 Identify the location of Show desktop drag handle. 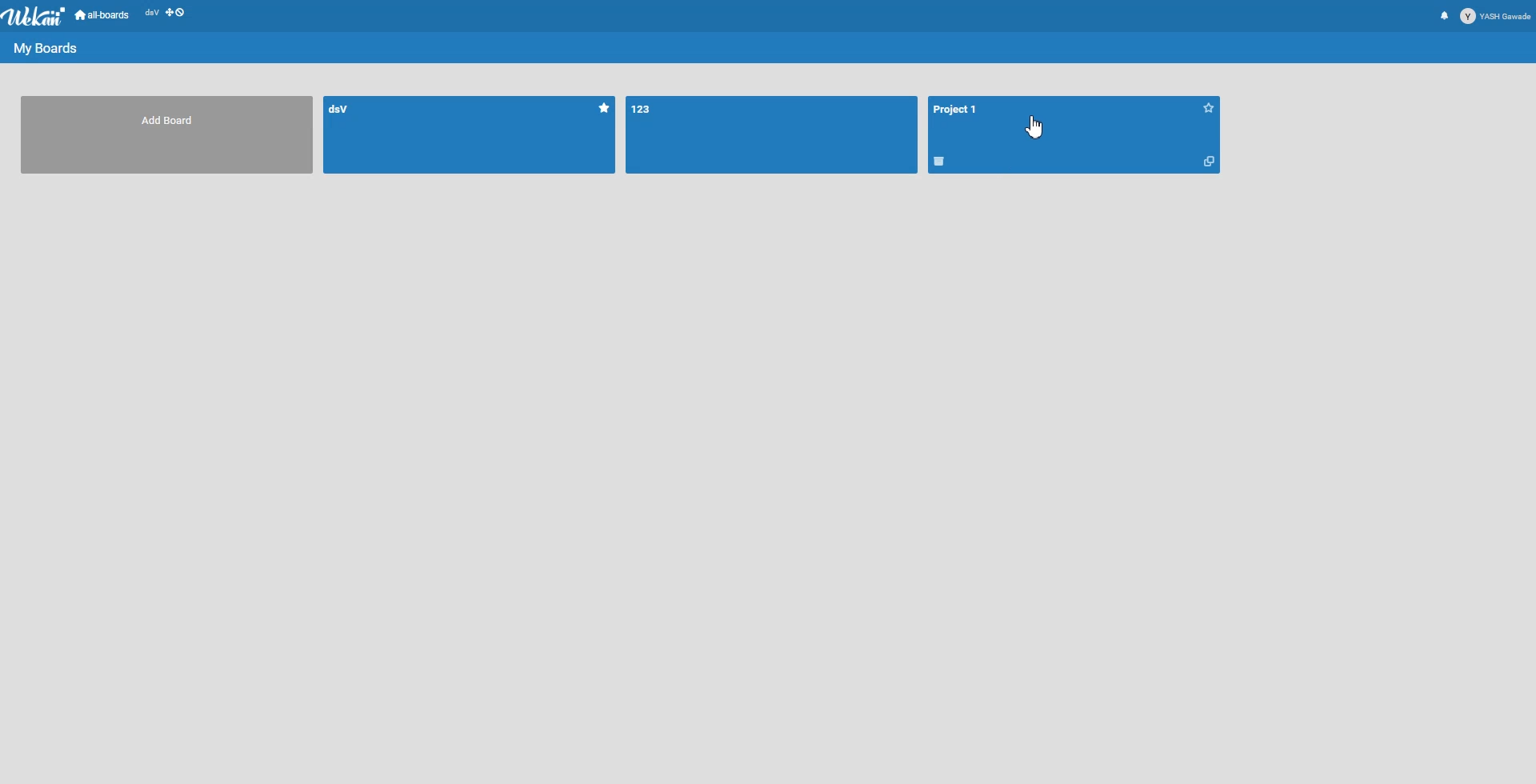
(177, 15).